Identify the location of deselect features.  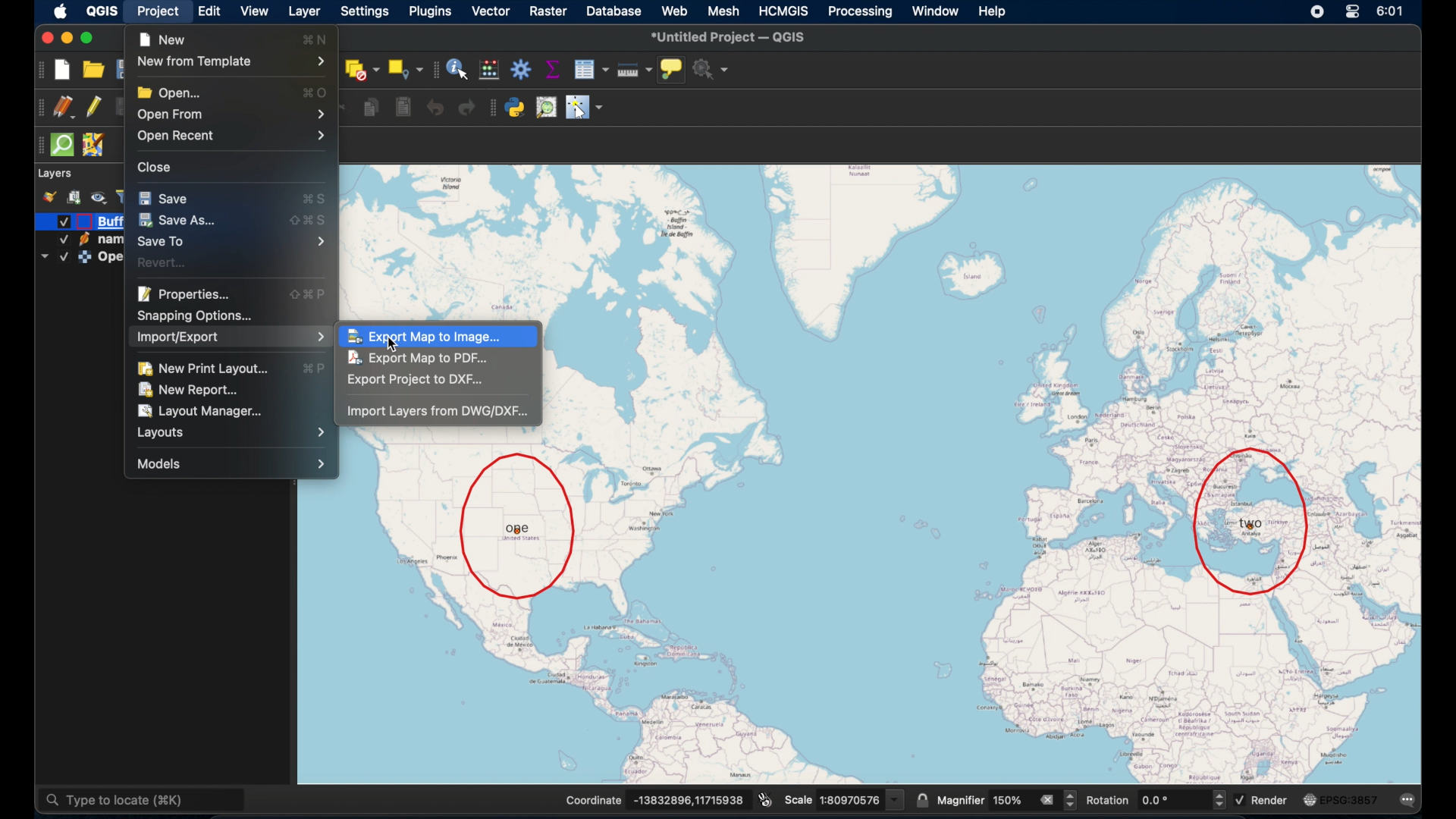
(361, 68).